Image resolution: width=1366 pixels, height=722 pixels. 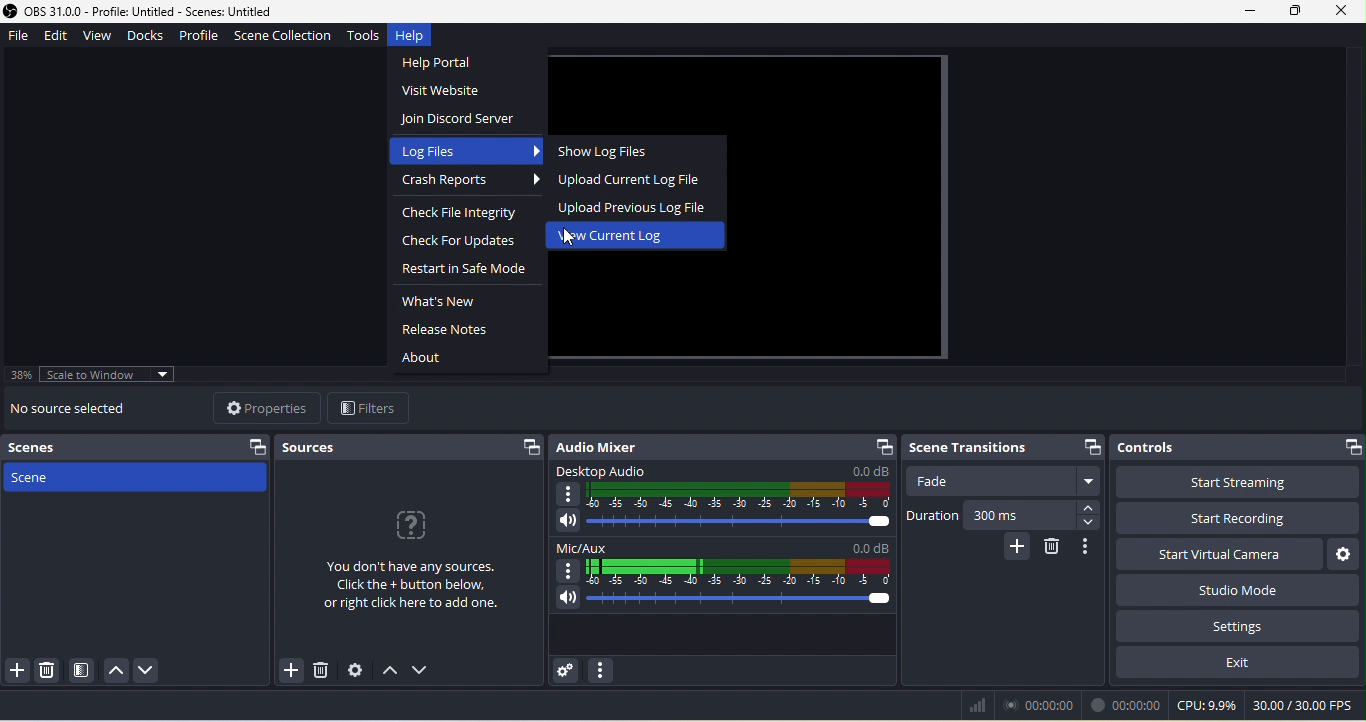 I want to click on release notes, so click(x=448, y=330).